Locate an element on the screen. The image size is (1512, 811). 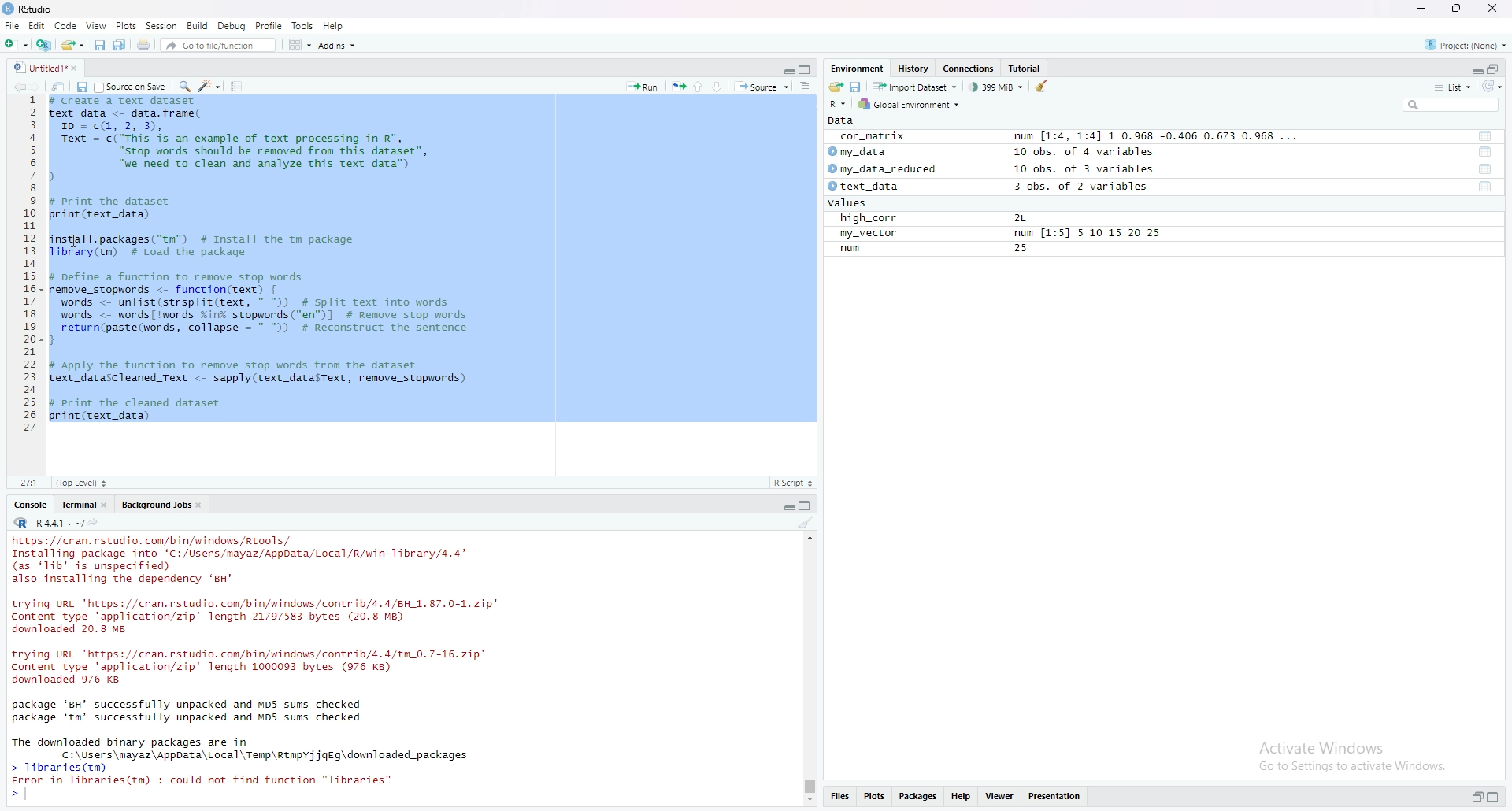
expand is located at coordinates (1475, 796).